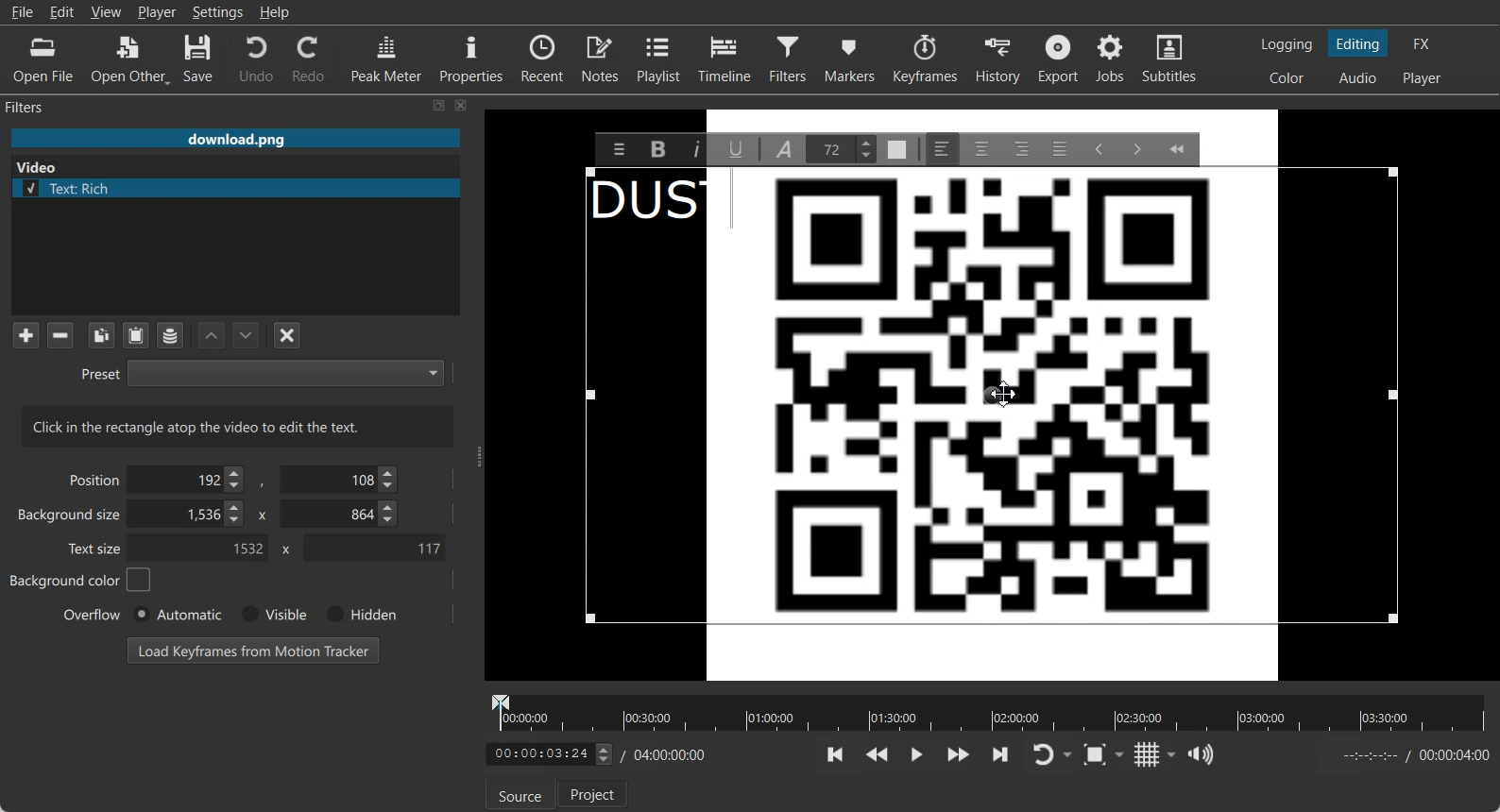 The width and height of the screenshot is (1500, 812). What do you see at coordinates (784, 149) in the screenshot?
I see `Font` at bounding box center [784, 149].